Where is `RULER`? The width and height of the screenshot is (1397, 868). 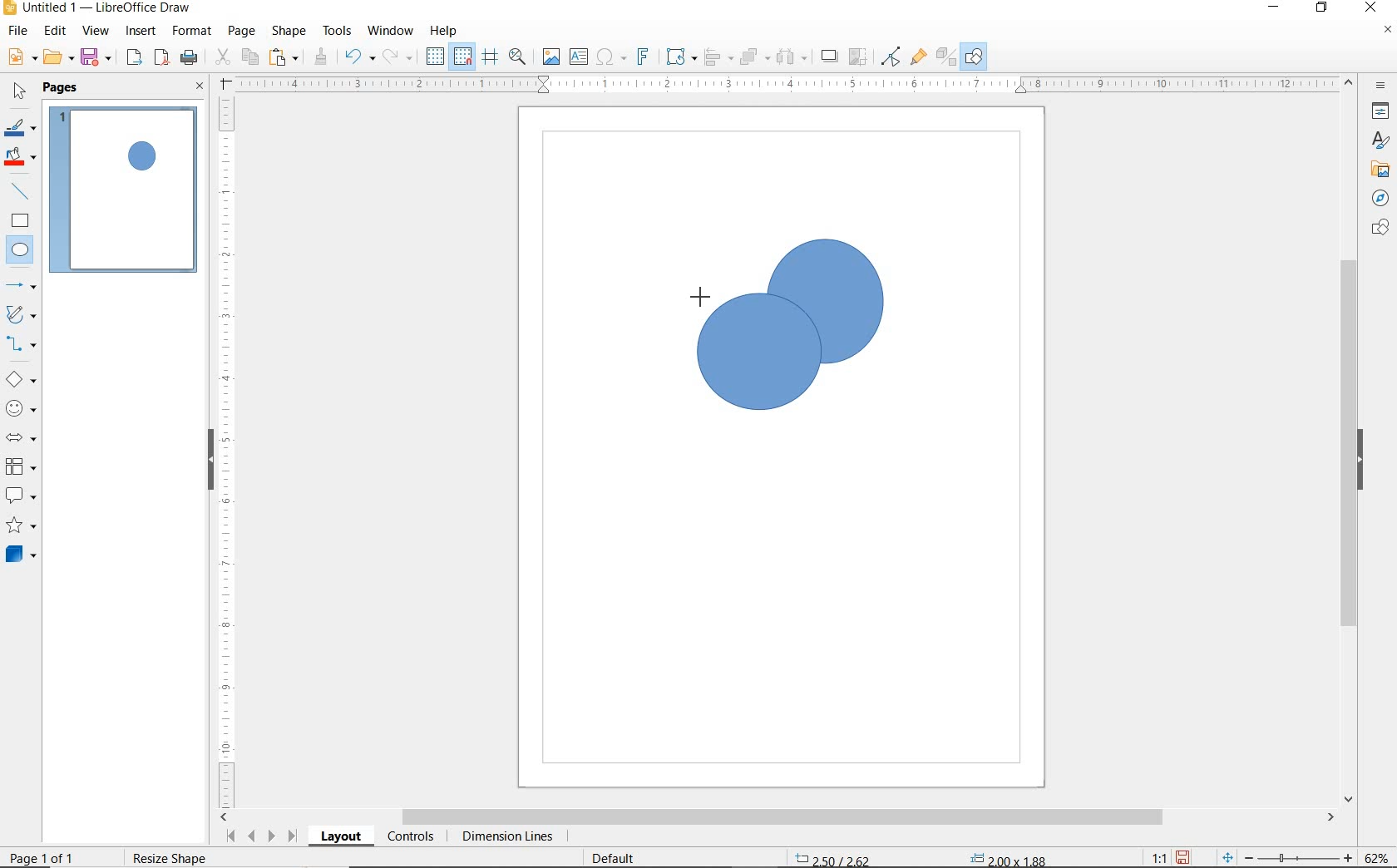 RULER is located at coordinates (228, 450).